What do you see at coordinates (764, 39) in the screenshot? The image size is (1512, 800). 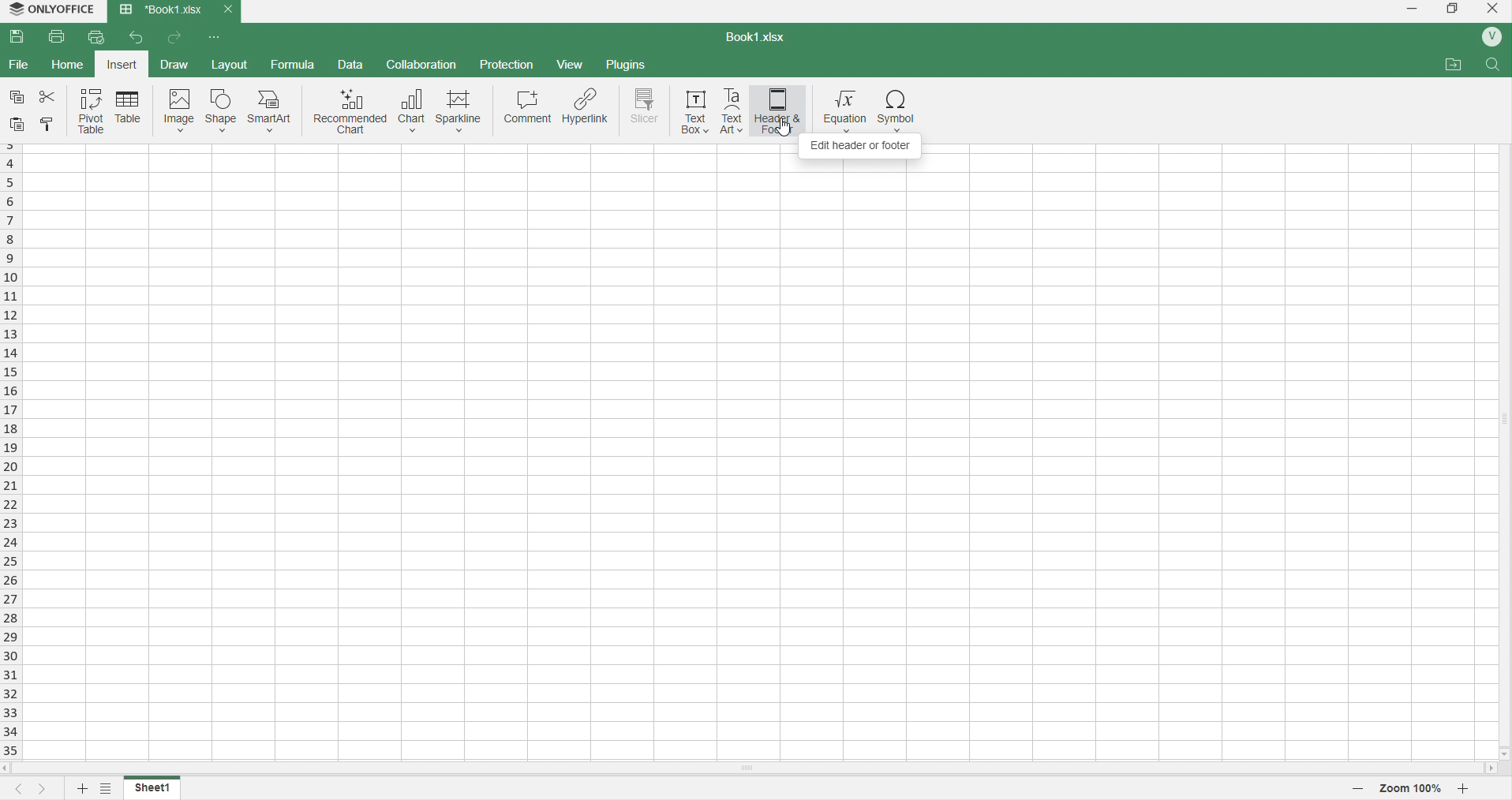 I see `book1.xlsx` at bounding box center [764, 39].